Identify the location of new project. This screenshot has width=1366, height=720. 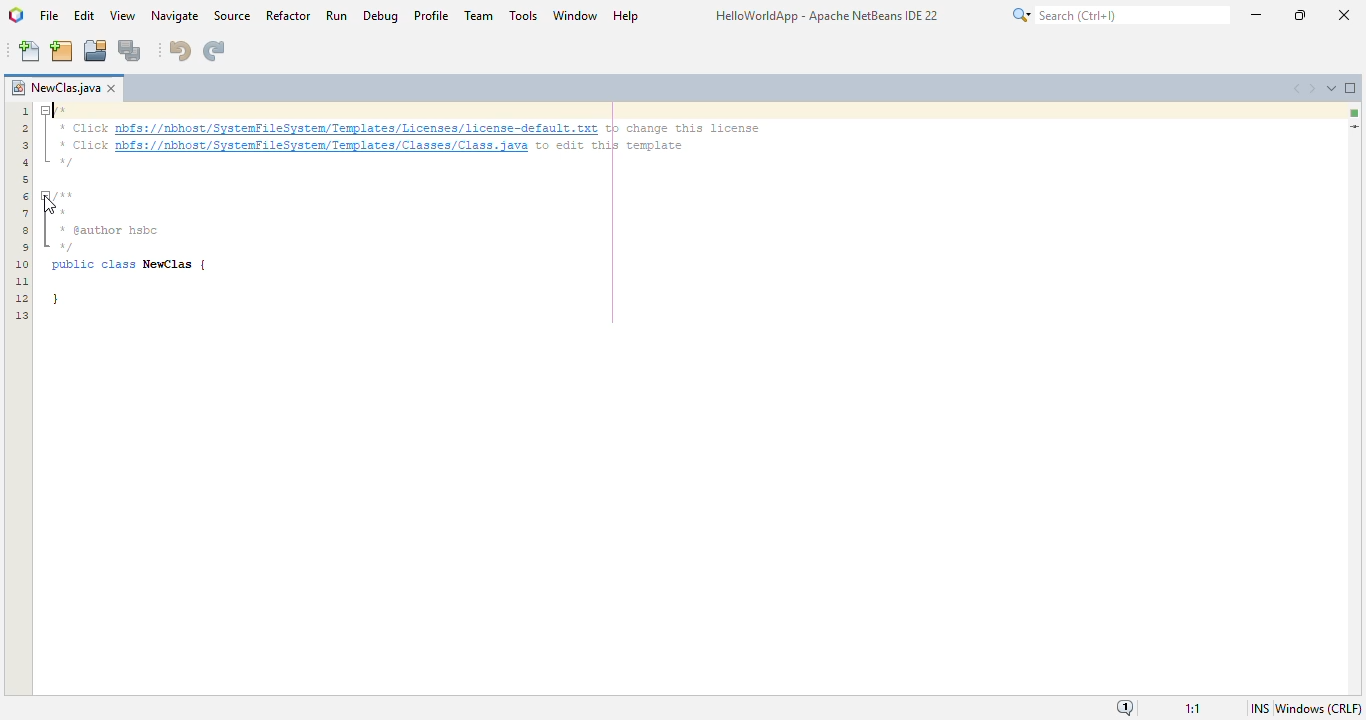
(62, 50).